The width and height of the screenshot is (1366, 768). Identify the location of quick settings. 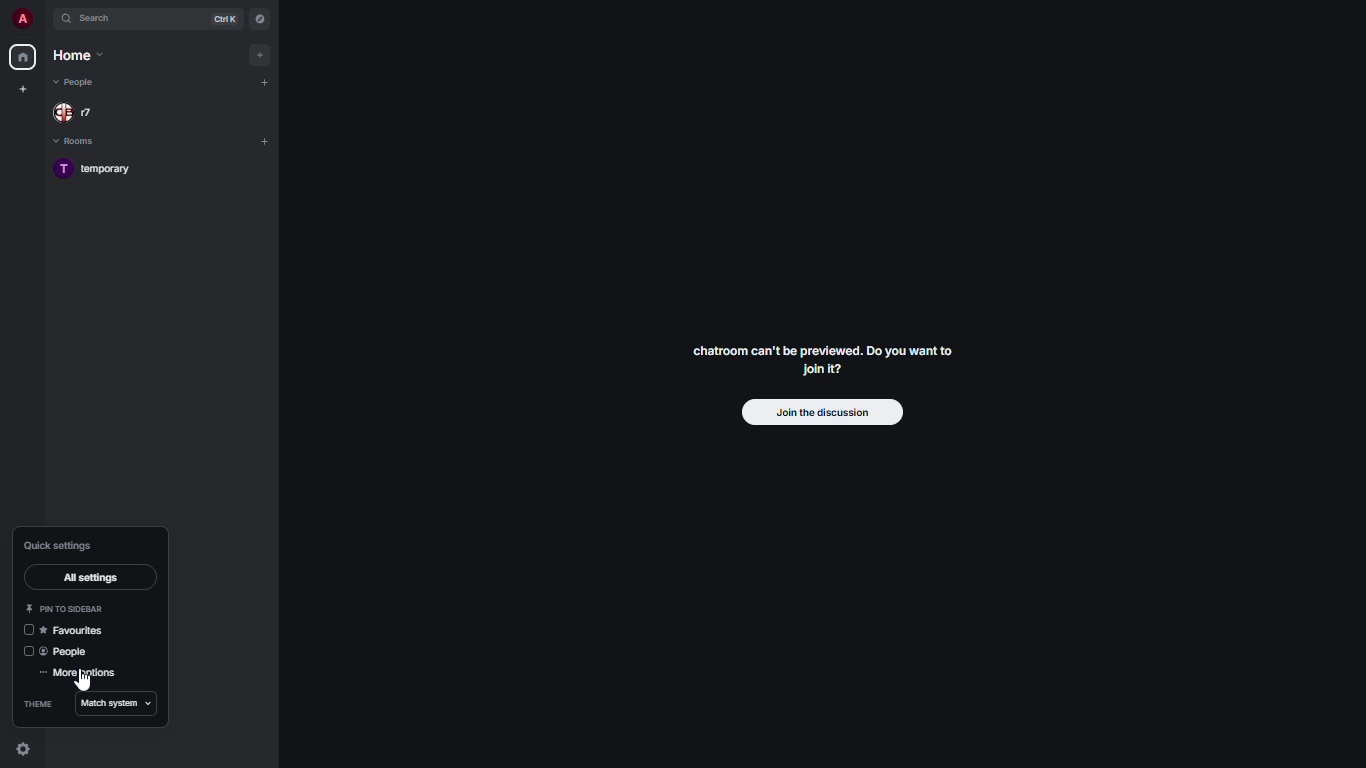
(22, 750).